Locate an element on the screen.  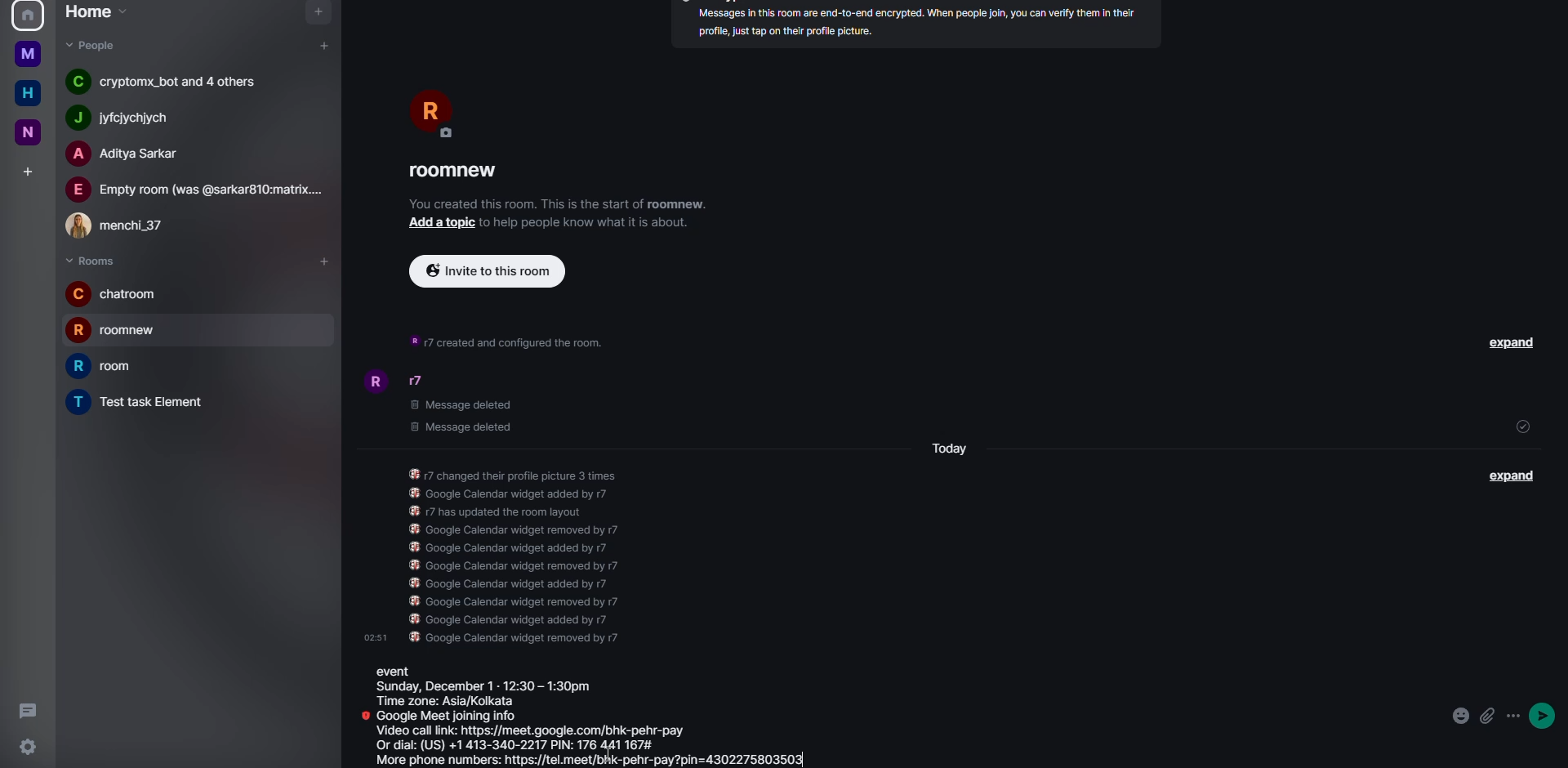
people is located at coordinates (174, 82).